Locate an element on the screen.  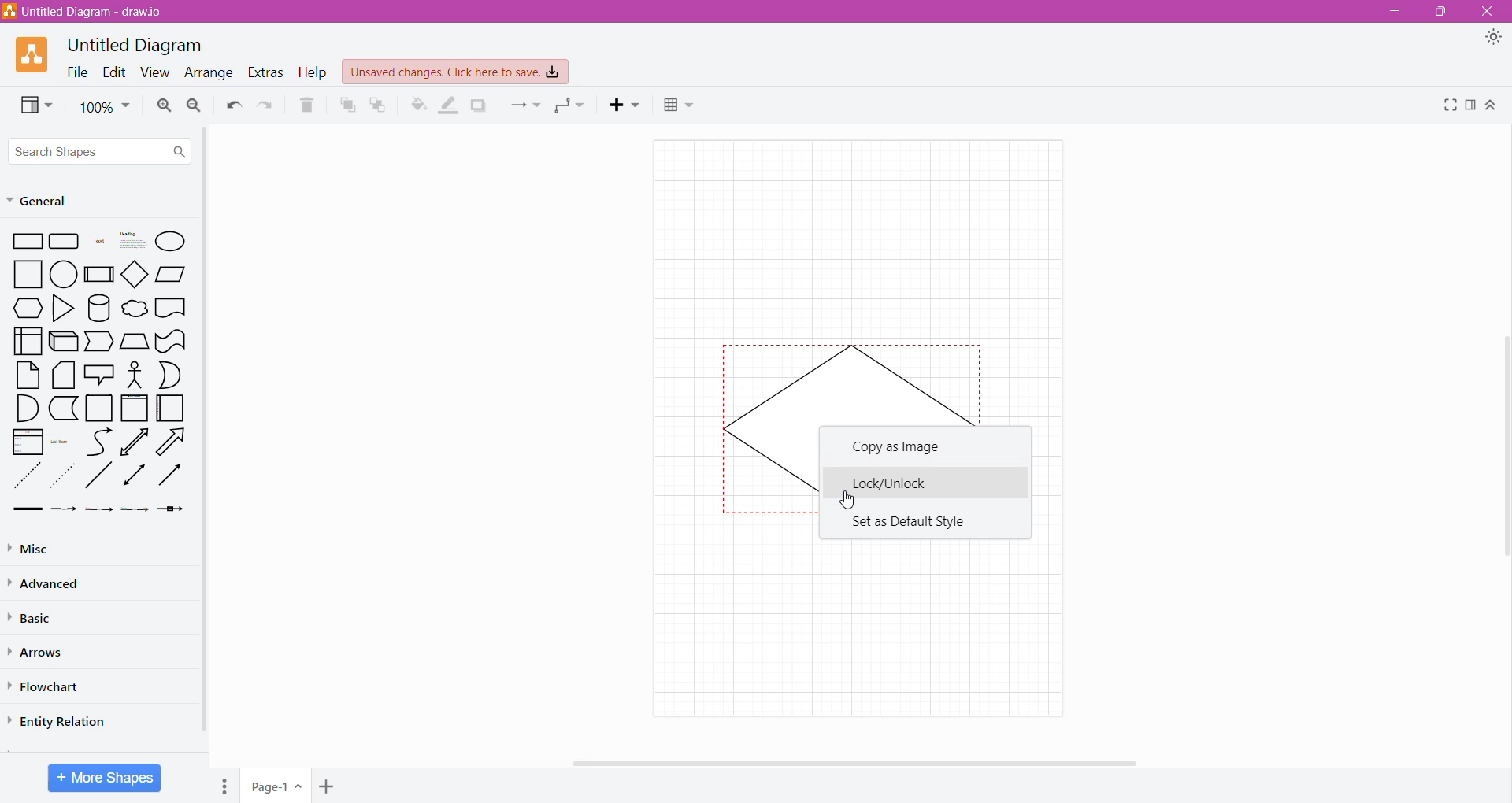
Rectangle is located at coordinates (28, 242).